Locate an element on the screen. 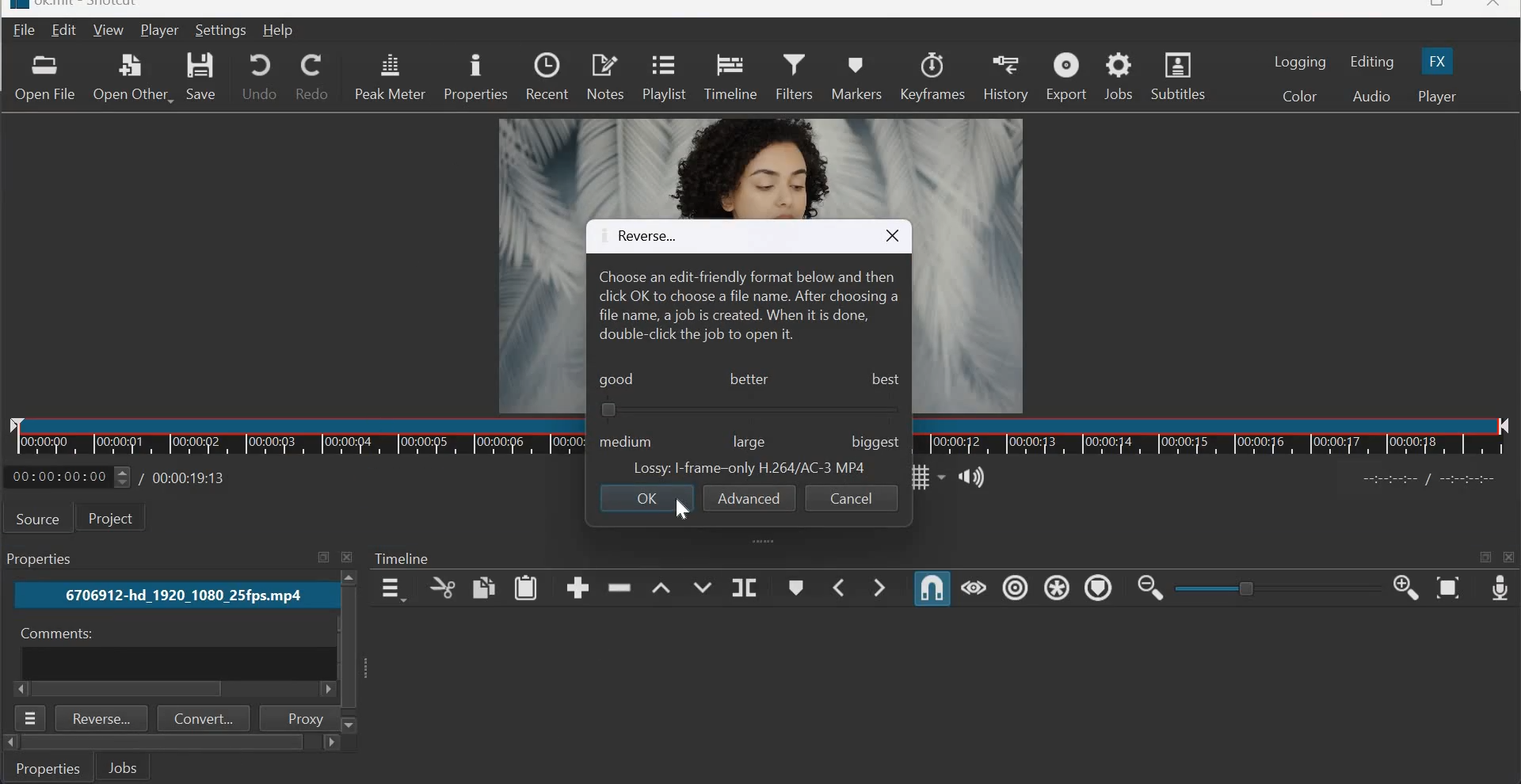 The height and width of the screenshot is (784, 1521). scroll right is located at coordinates (22, 689).